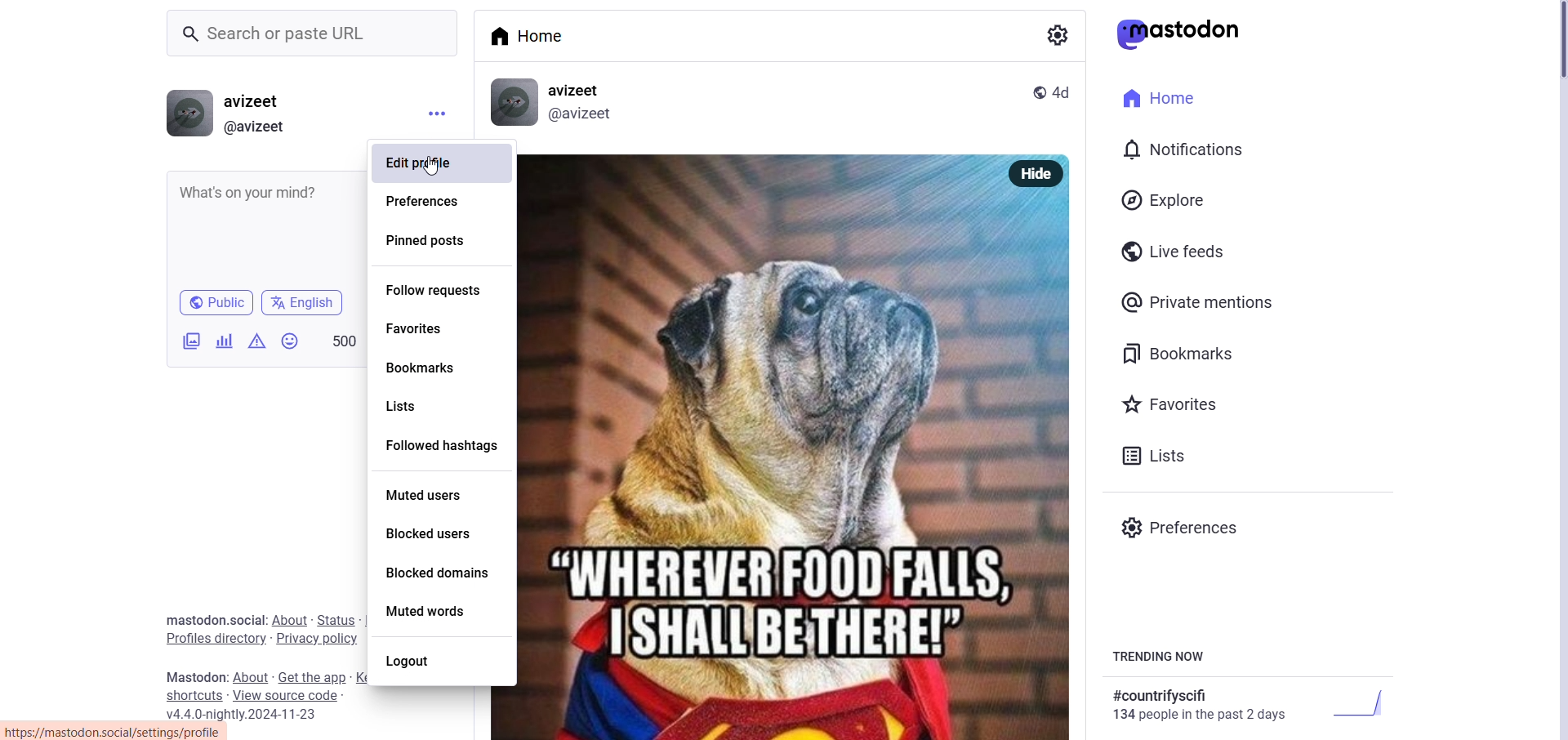  What do you see at coordinates (256, 127) in the screenshot?
I see `id` at bounding box center [256, 127].